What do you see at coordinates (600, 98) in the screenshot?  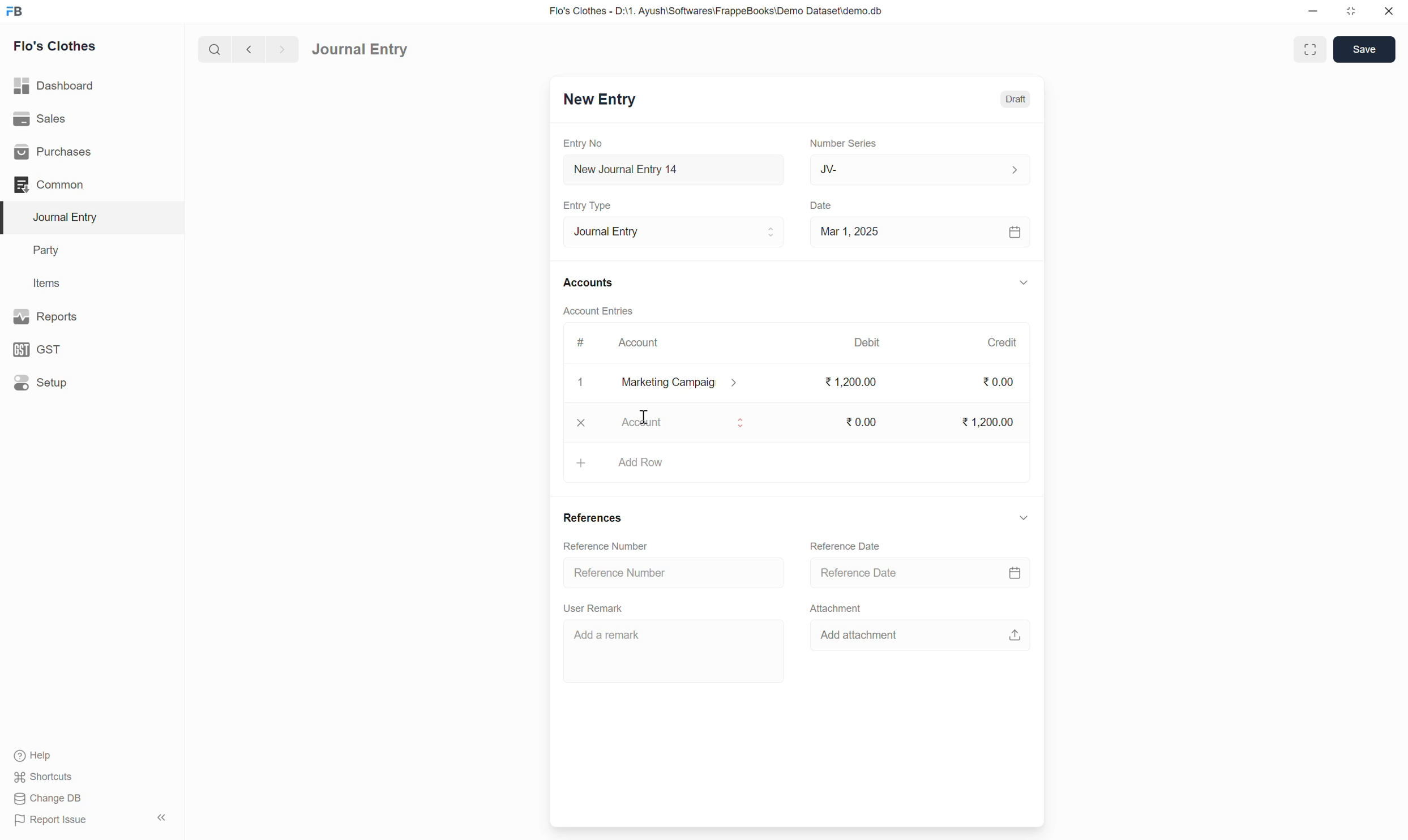 I see `New Entry` at bounding box center [600, 98].